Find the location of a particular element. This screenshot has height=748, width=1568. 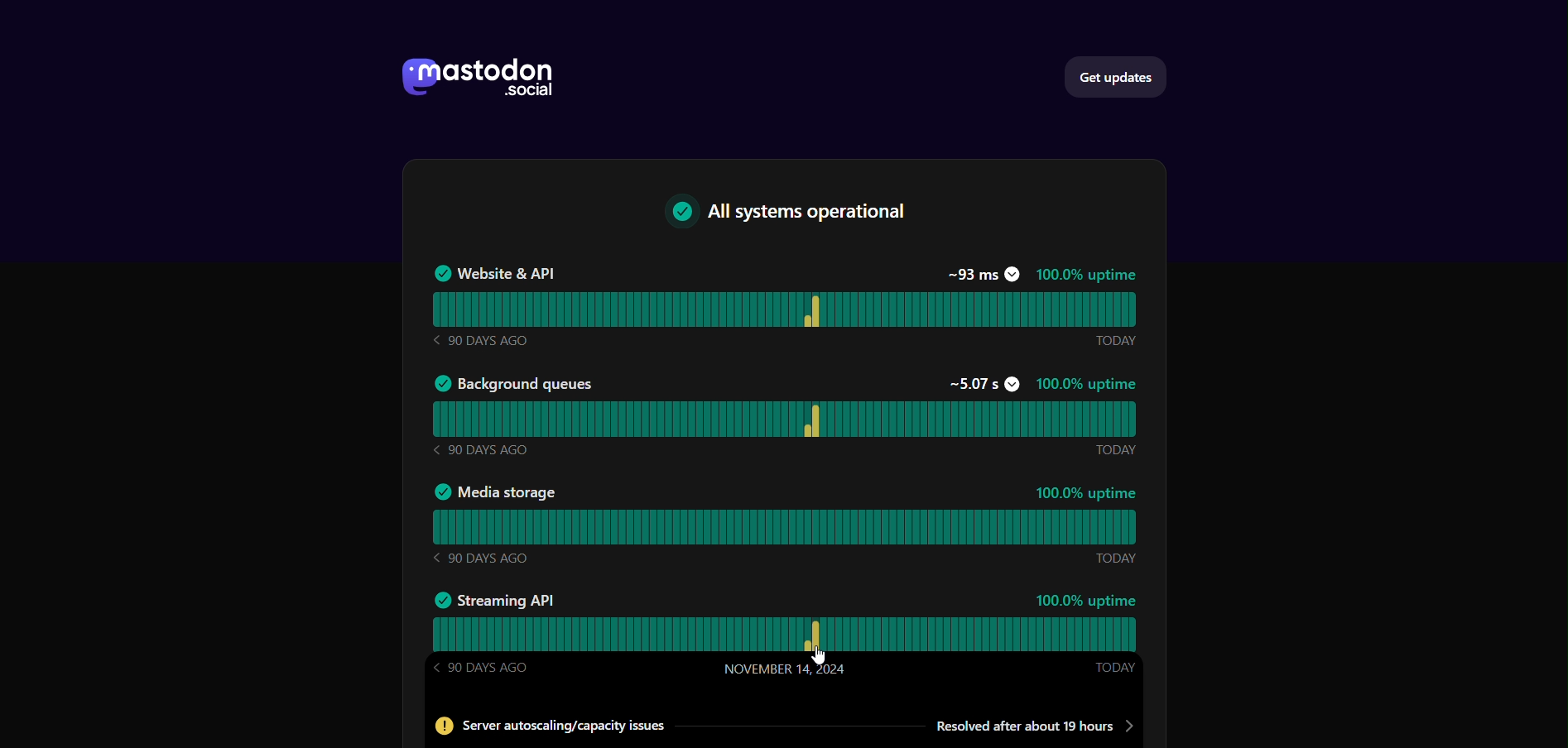

~5.07s is located at coordinates (982, 384).